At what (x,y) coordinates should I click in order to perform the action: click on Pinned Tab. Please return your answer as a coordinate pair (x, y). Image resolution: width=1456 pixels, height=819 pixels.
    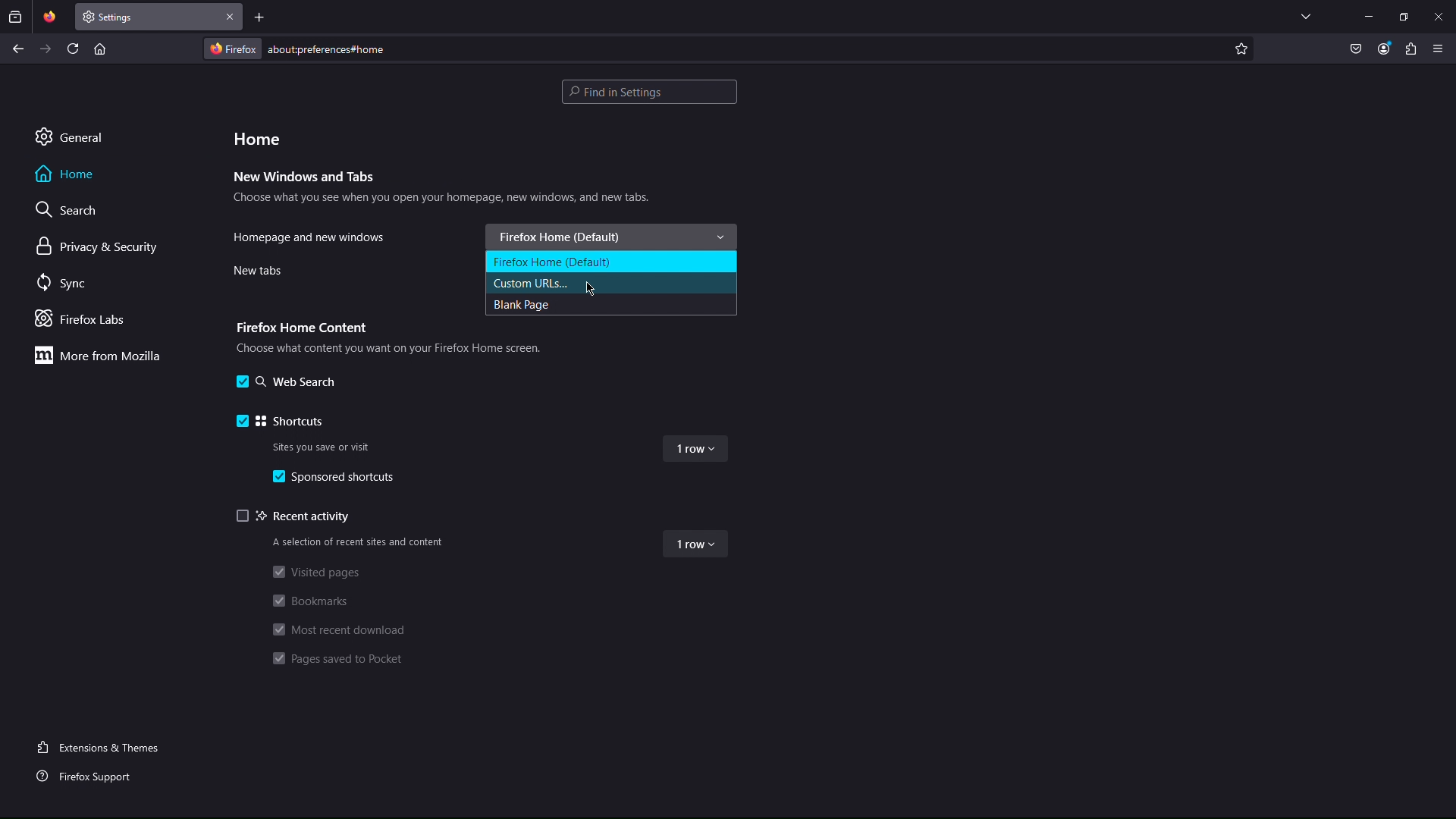
    Looking at the image, I should click on (49, 17).